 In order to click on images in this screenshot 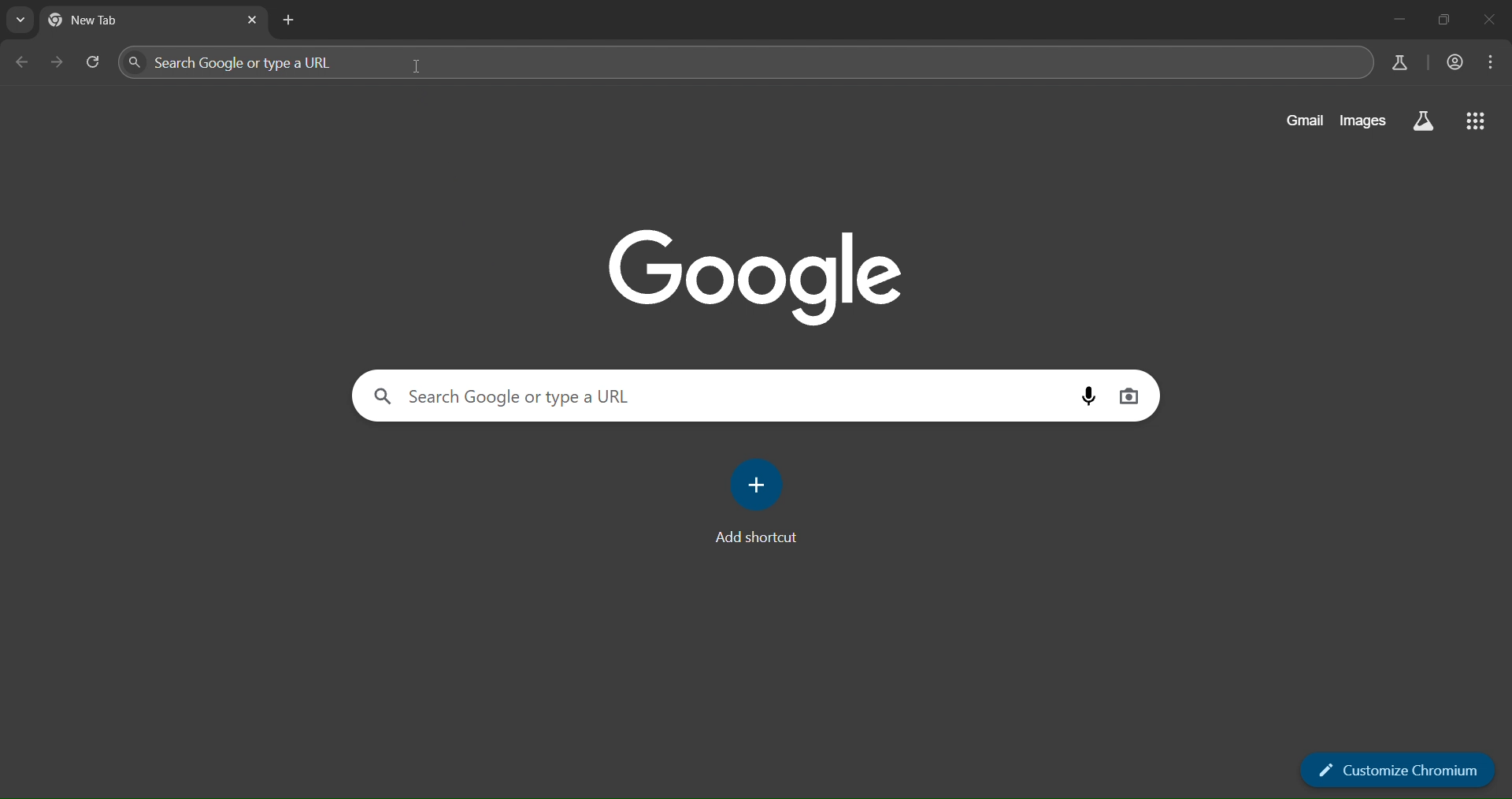, I will do `click(1362, 121)`.